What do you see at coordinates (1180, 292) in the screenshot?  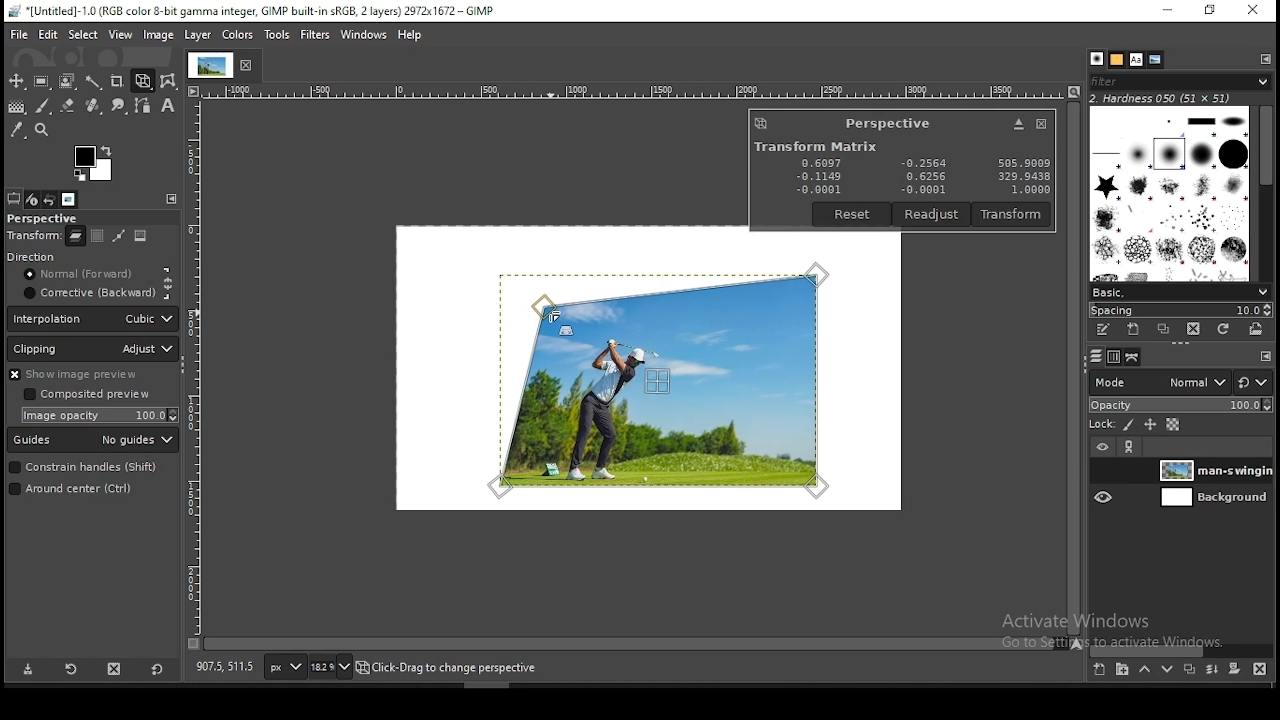 I see `brush presets` at bounding box center [1180, 292].